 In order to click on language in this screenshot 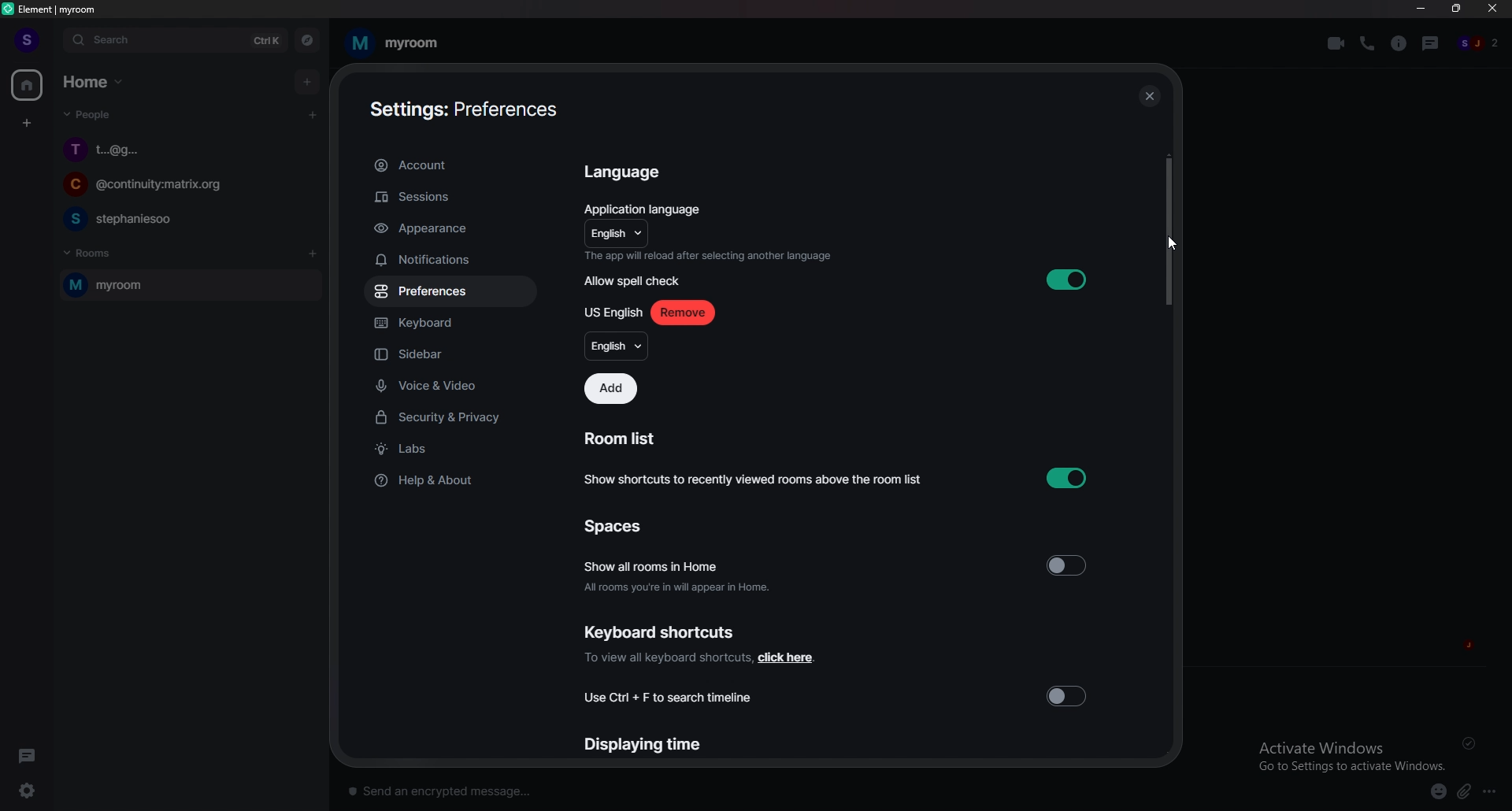, I will do `click(613, 313)`.